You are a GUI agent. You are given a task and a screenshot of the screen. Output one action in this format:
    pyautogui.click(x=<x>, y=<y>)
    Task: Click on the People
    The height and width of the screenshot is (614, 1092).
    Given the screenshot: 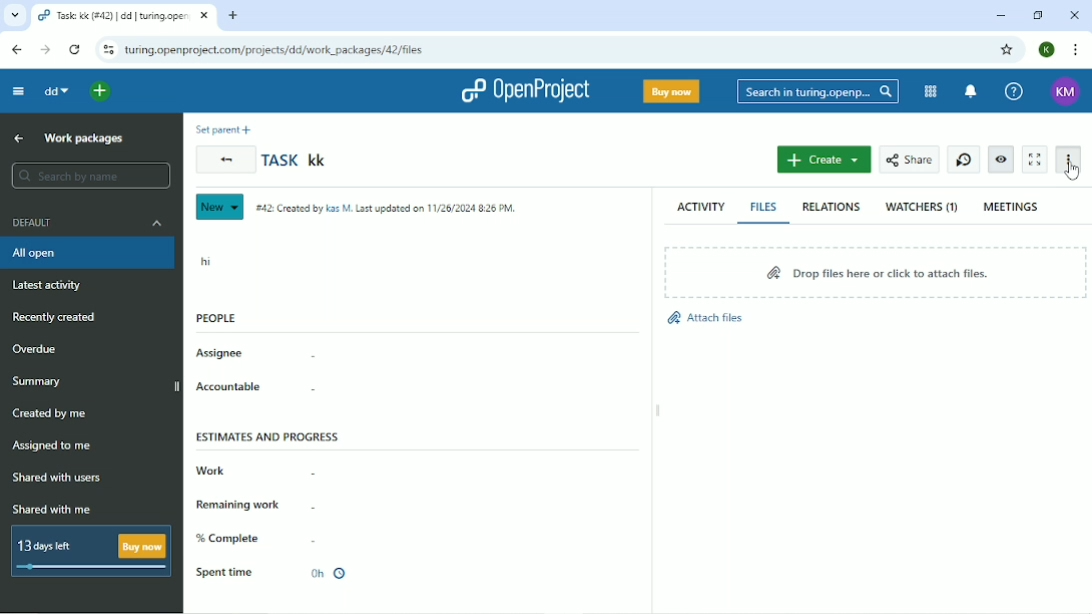 What is the action you would take?
    pyautogui.click(x=216, y=318)
    